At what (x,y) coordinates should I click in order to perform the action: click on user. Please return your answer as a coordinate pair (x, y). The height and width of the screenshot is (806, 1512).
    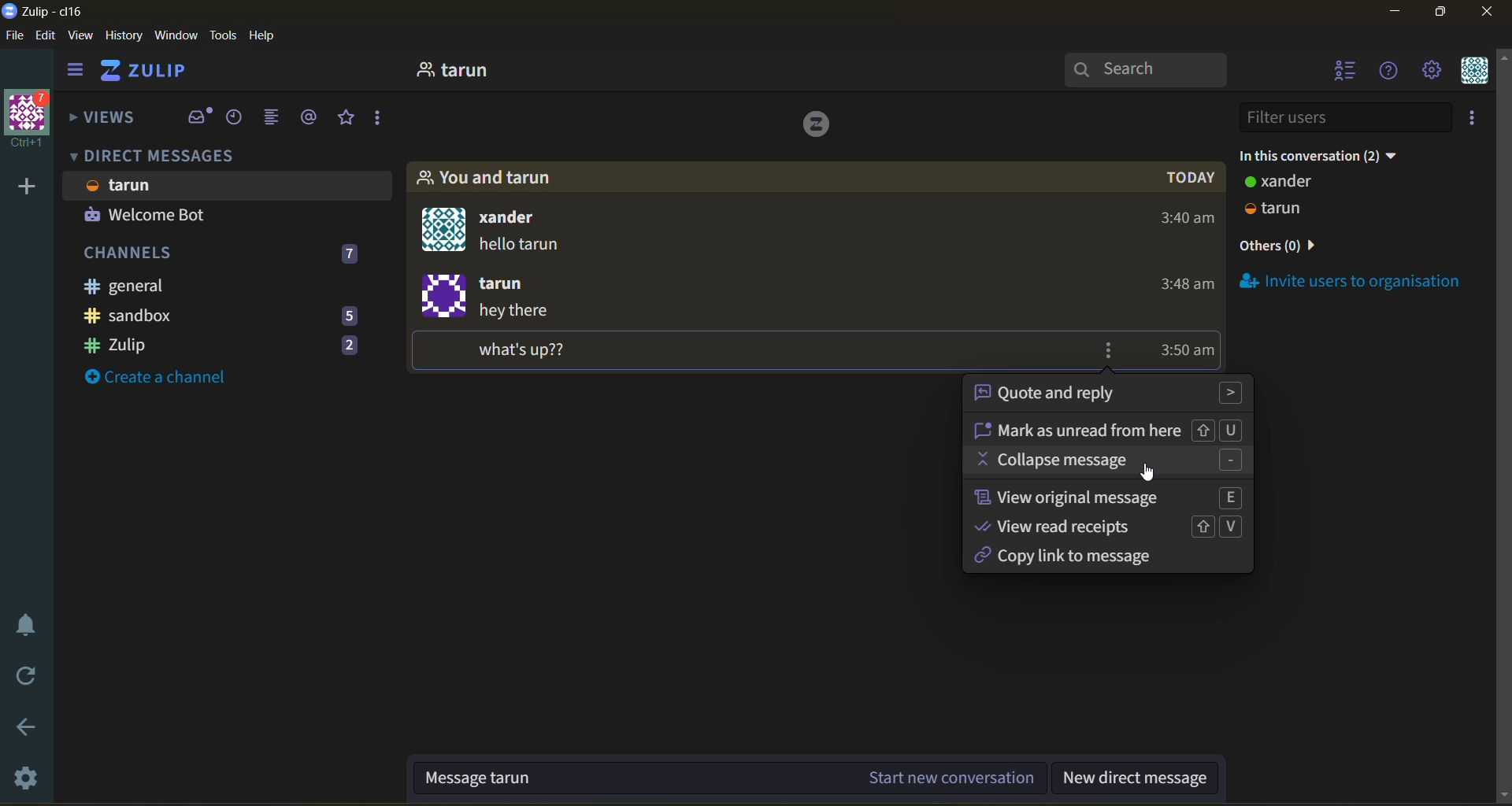
    Looking at the image, I should click on (461, 71).